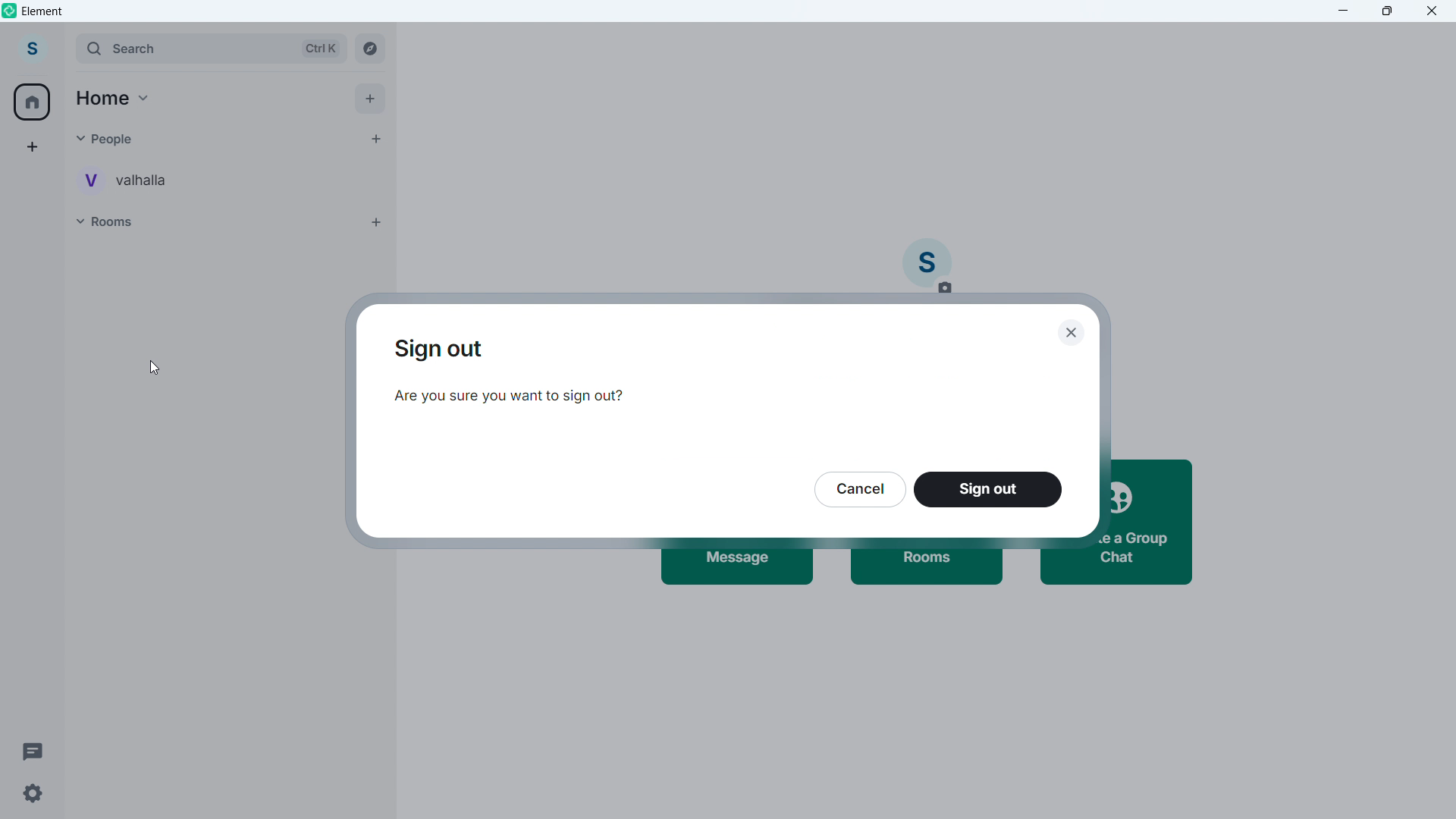 The height and width of the screenshot is (819, 1456). What do you see at coordinates (43, 13) in the screenshot?
I see `element` at bounding box center [43, 13].